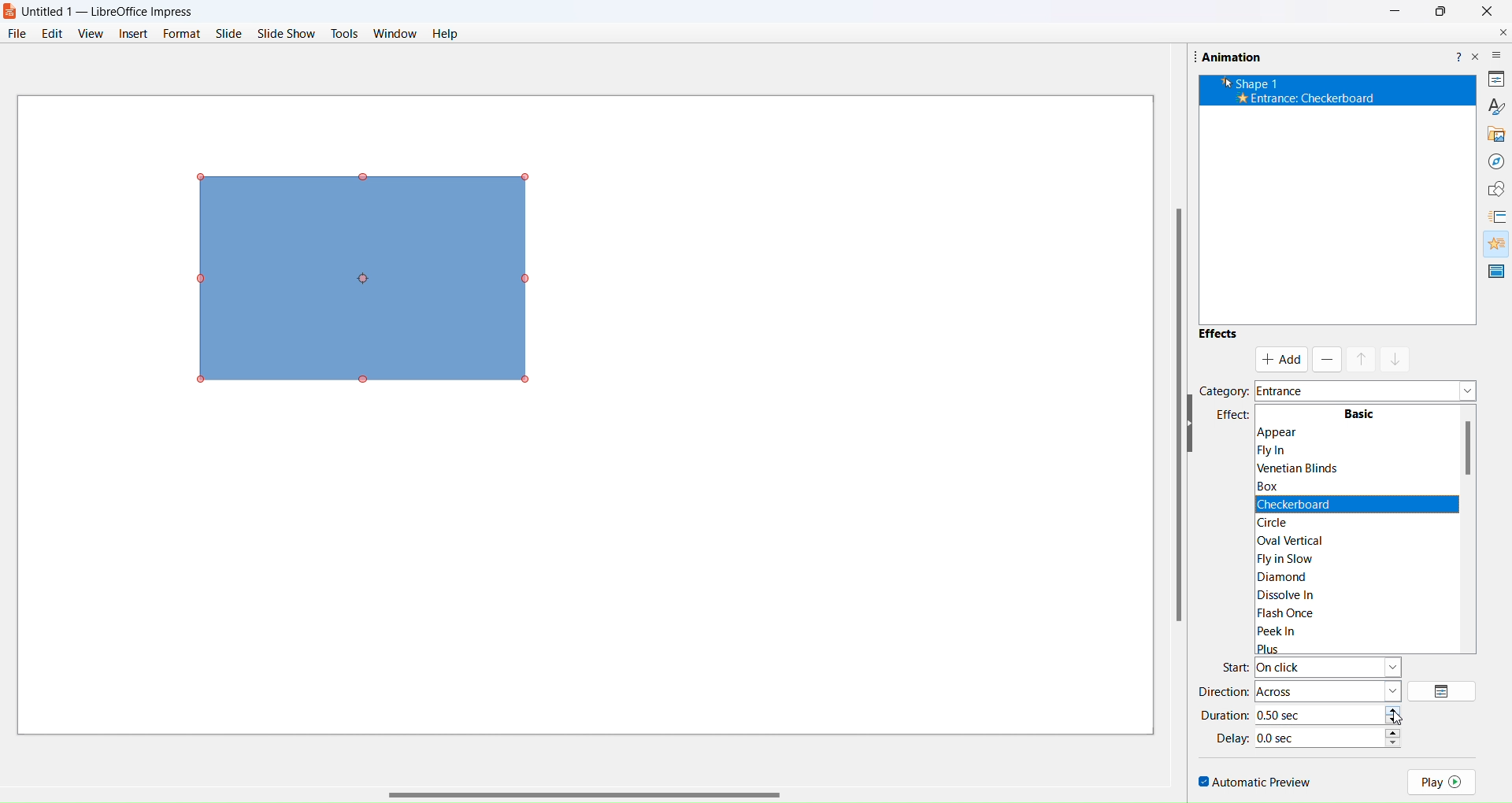 This screenshot has width=1512, height=803. Describe the element at coordinates (1320, 735) in the screenshot. I see `time` at that location.